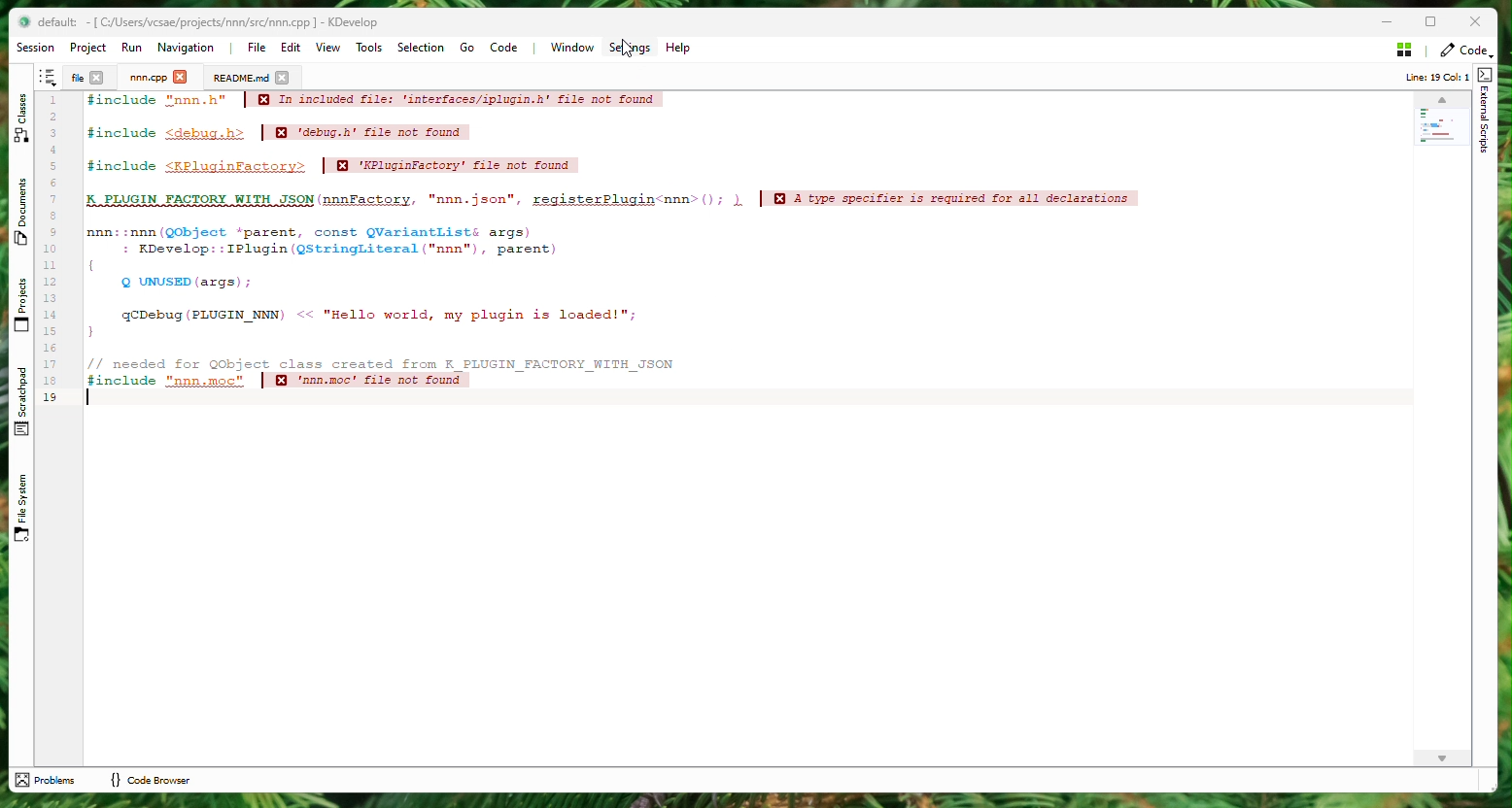  I want to click on 7, so click(53, 199).